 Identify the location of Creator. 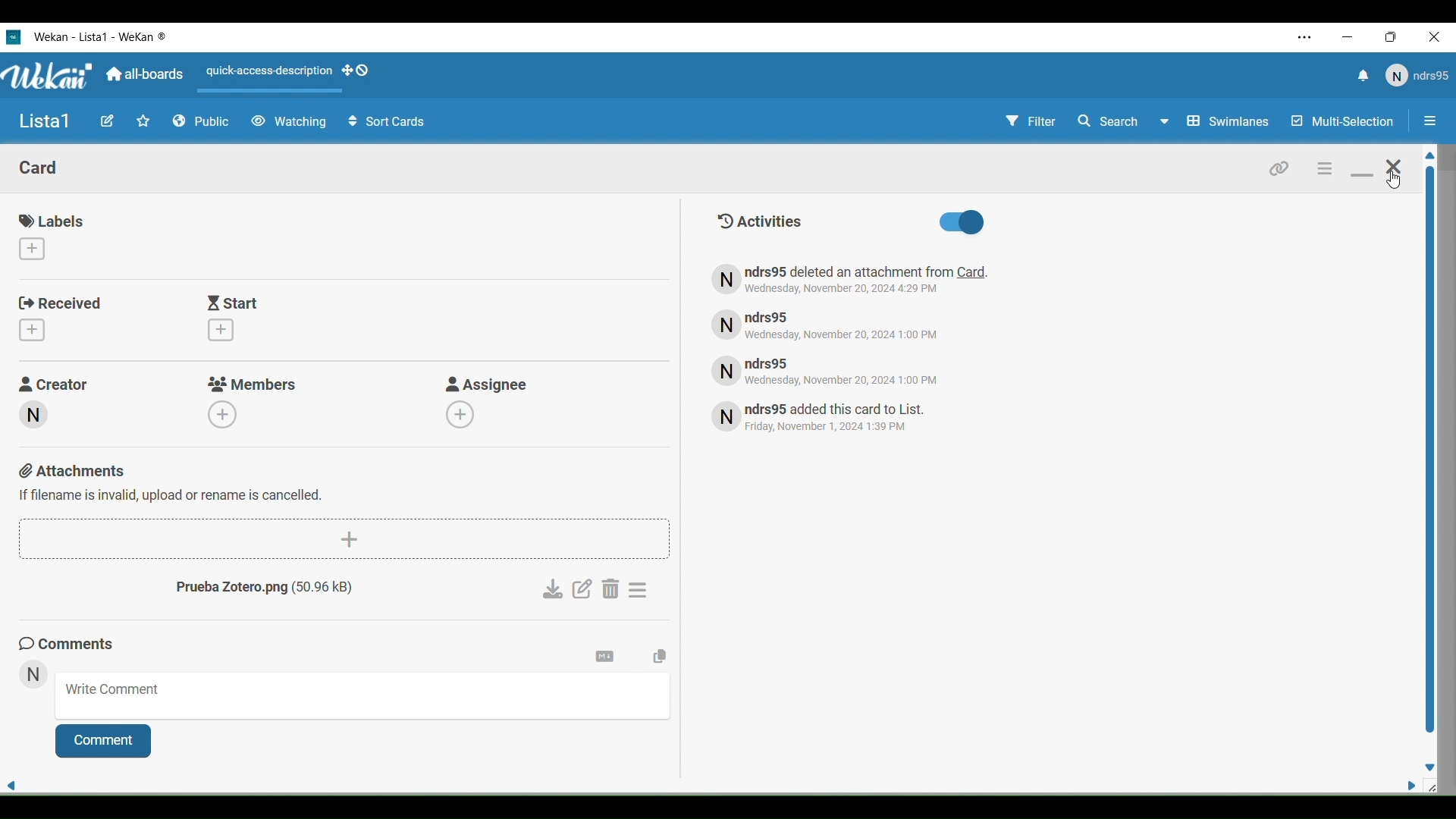
(32, 415).